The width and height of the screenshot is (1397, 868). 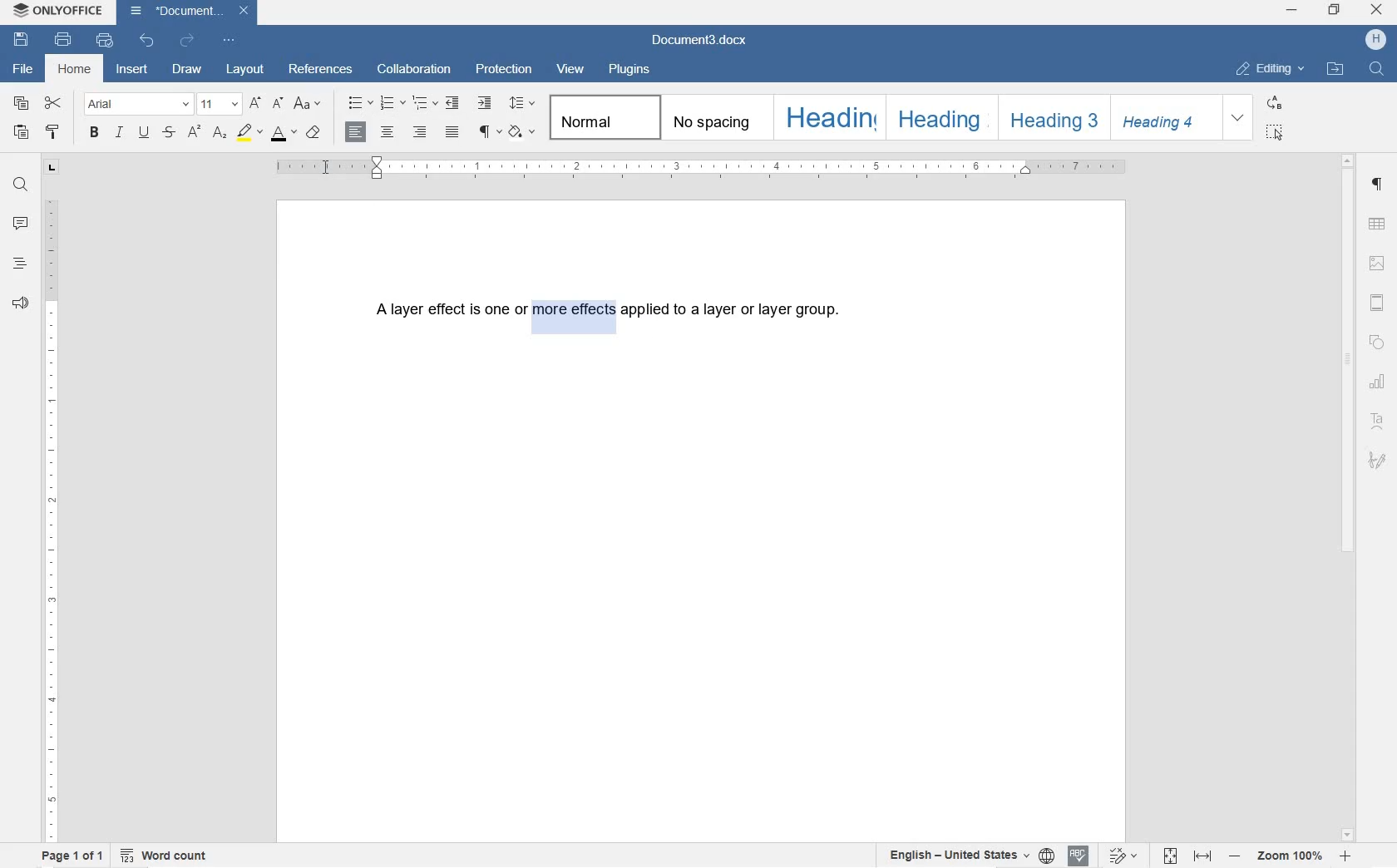 I want to click on TAB, so click(x=51, y=167).